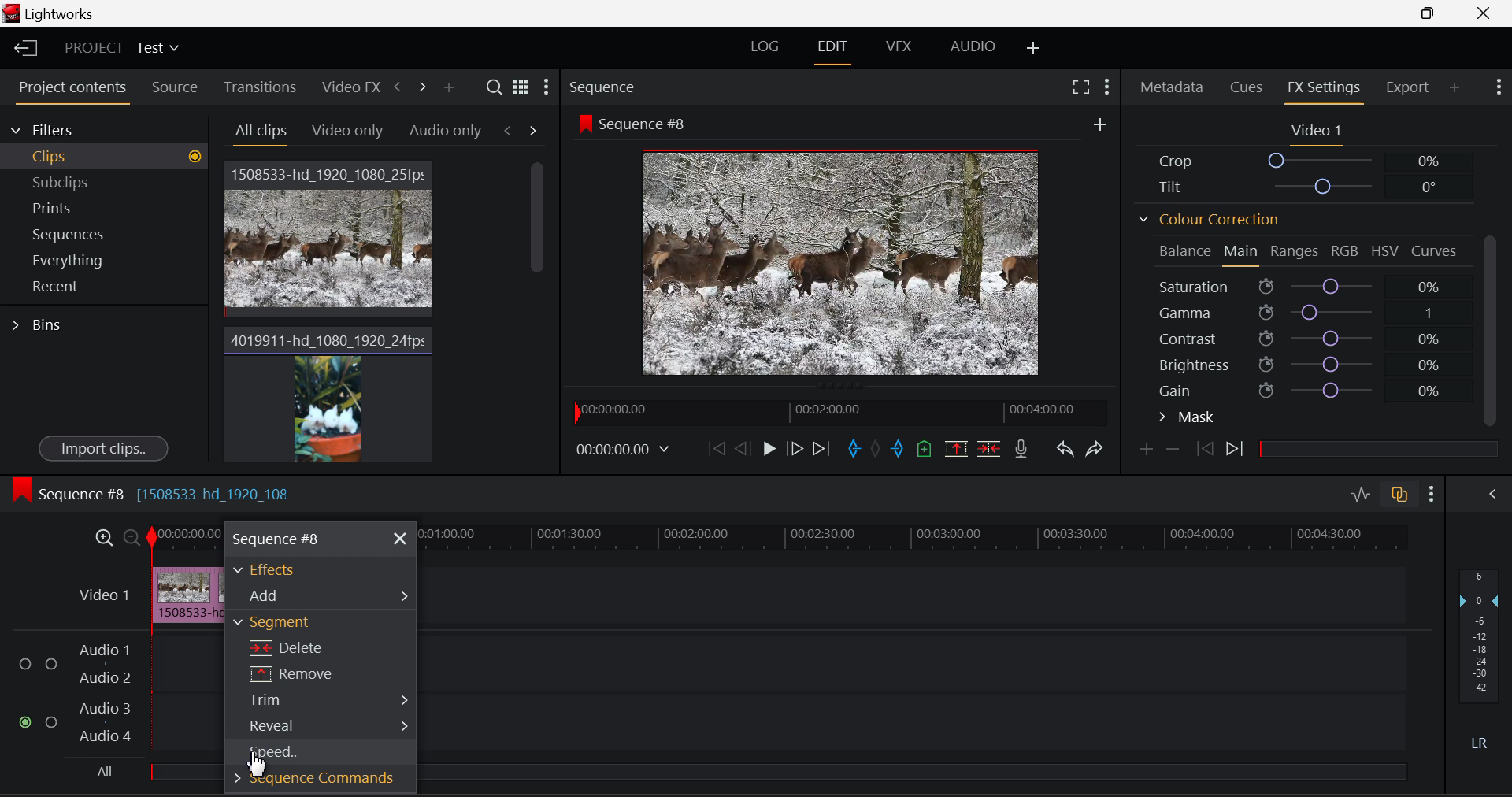 Image resolution: width=1512 pixels, height=797 pixels. What do you see at coordinates (1496, 496) in the screenshot?
I see `Show Audio Mix` at bounding box center [1496, 496].